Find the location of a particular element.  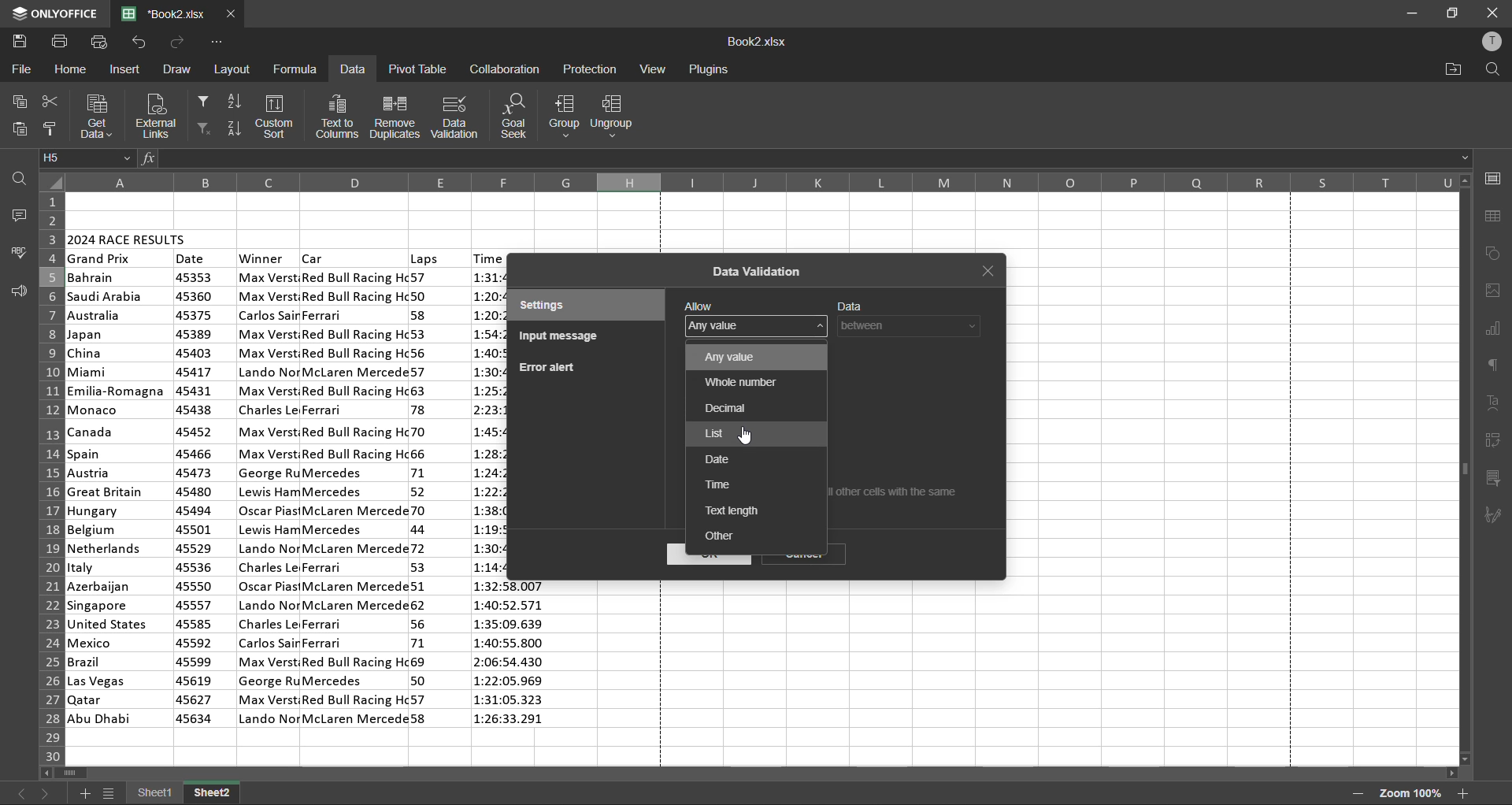

decimal is located at coordinates (722, 407).